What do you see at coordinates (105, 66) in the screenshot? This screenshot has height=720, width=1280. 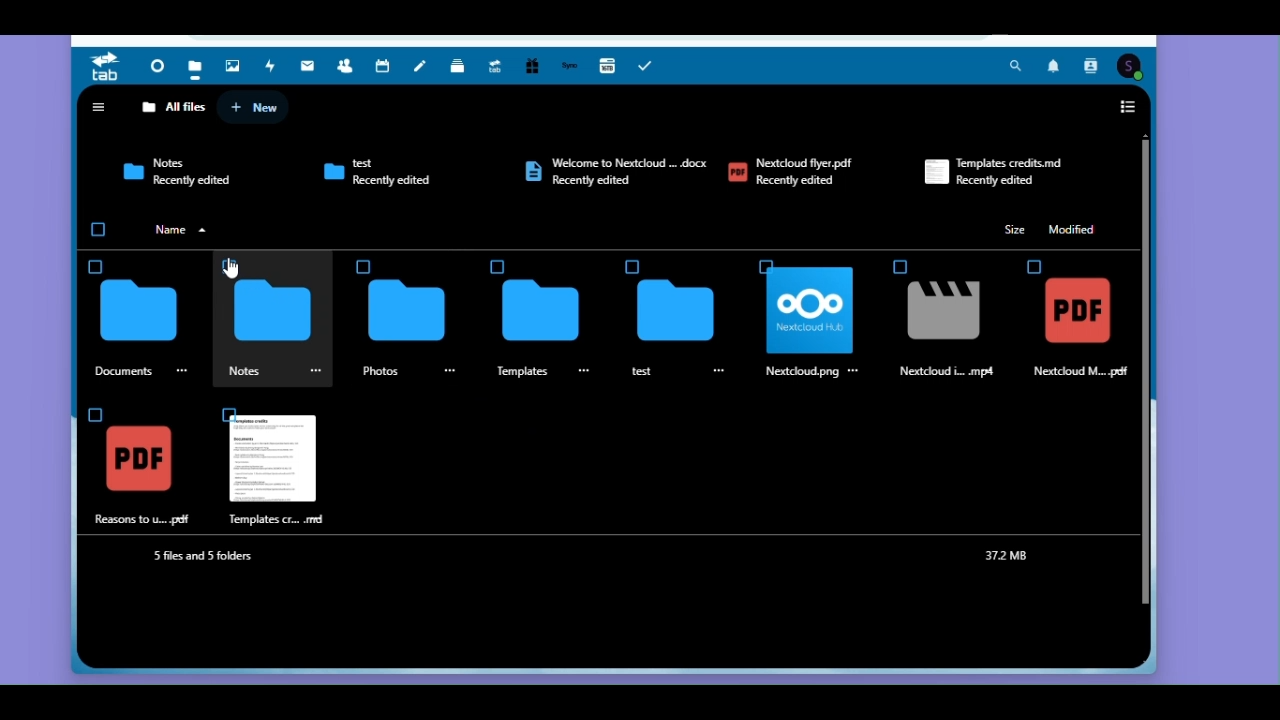 I see `Tab` at bounding box center [105, 66].